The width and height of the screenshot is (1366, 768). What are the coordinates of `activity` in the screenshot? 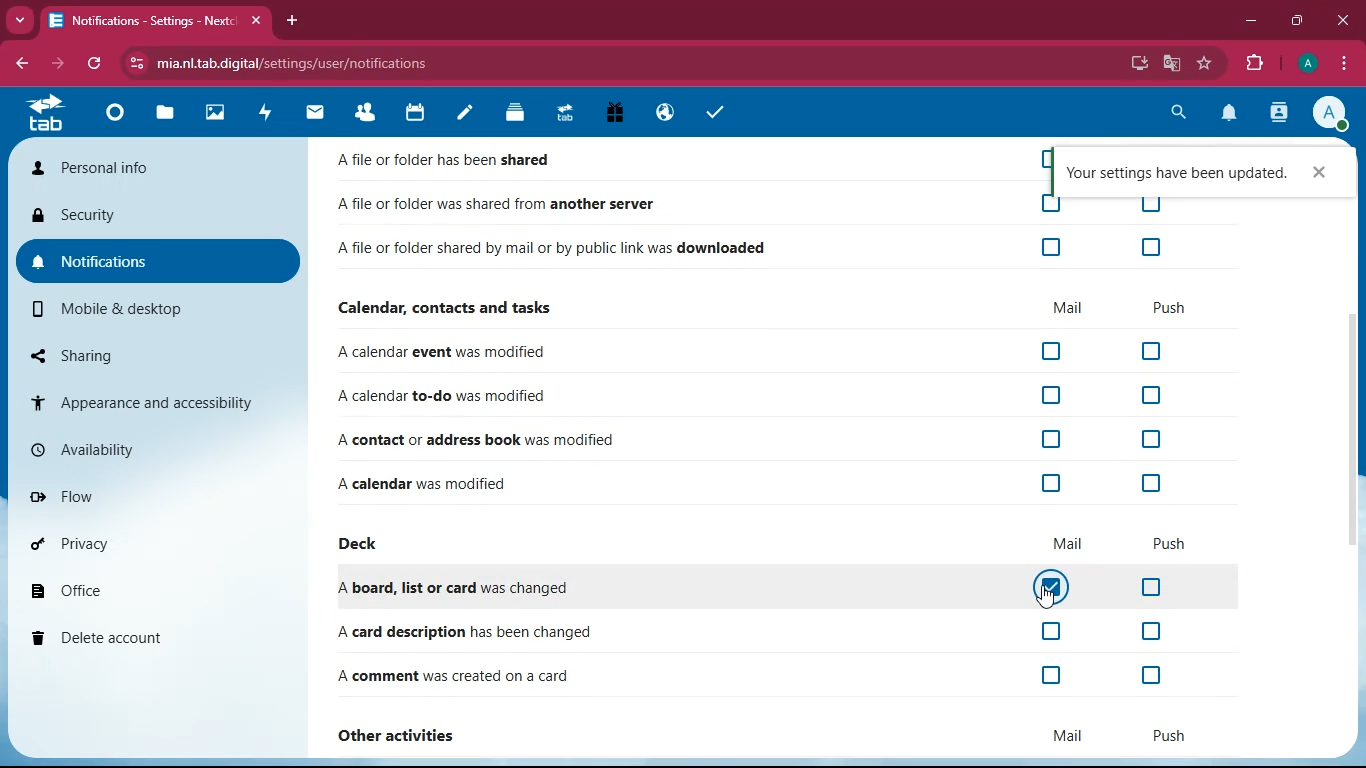 It's located at (1280, 114).